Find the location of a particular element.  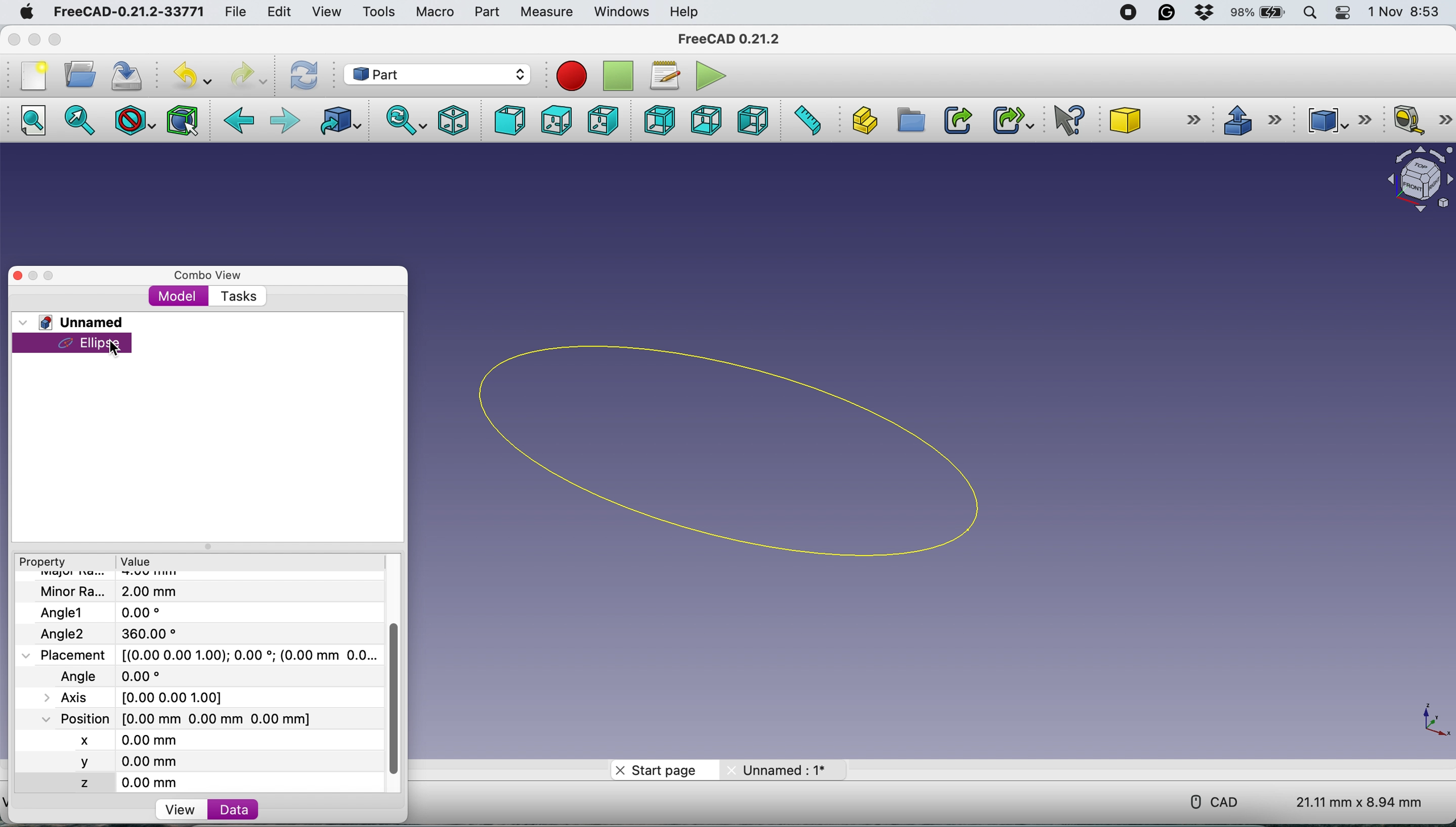

macro is located at coordinates (434, 12).